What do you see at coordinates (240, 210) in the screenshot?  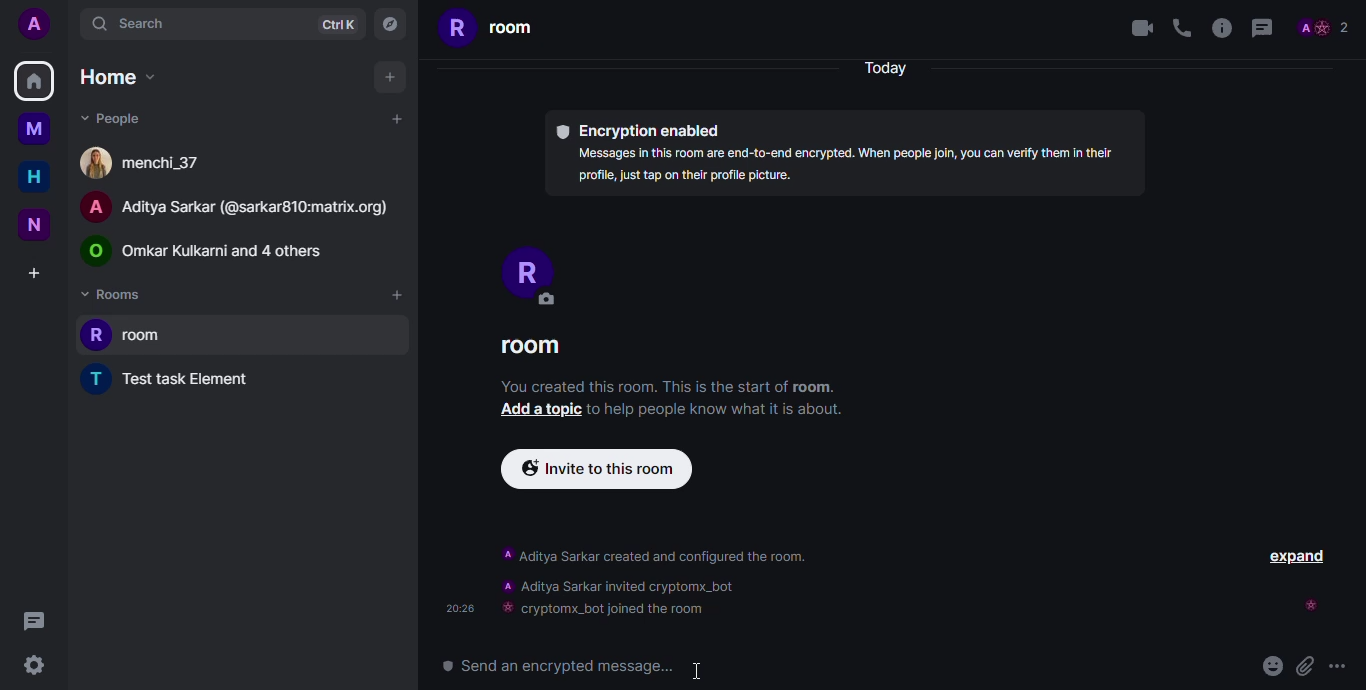 I see `A Aditya Sarkar (@sarkar810:matrix.org)` at bounding box center [240, 210].